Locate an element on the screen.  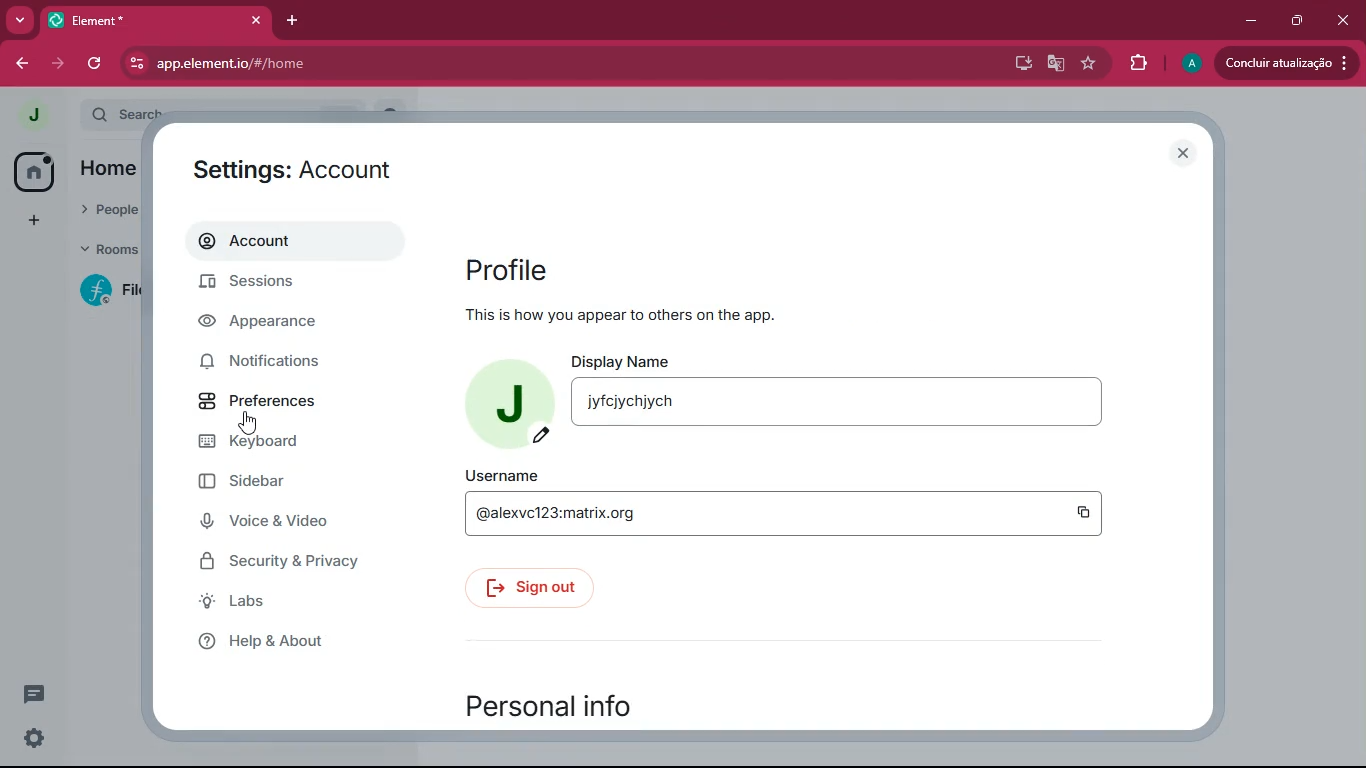
app.element.io/#/home is located at coordinates (318, 65).